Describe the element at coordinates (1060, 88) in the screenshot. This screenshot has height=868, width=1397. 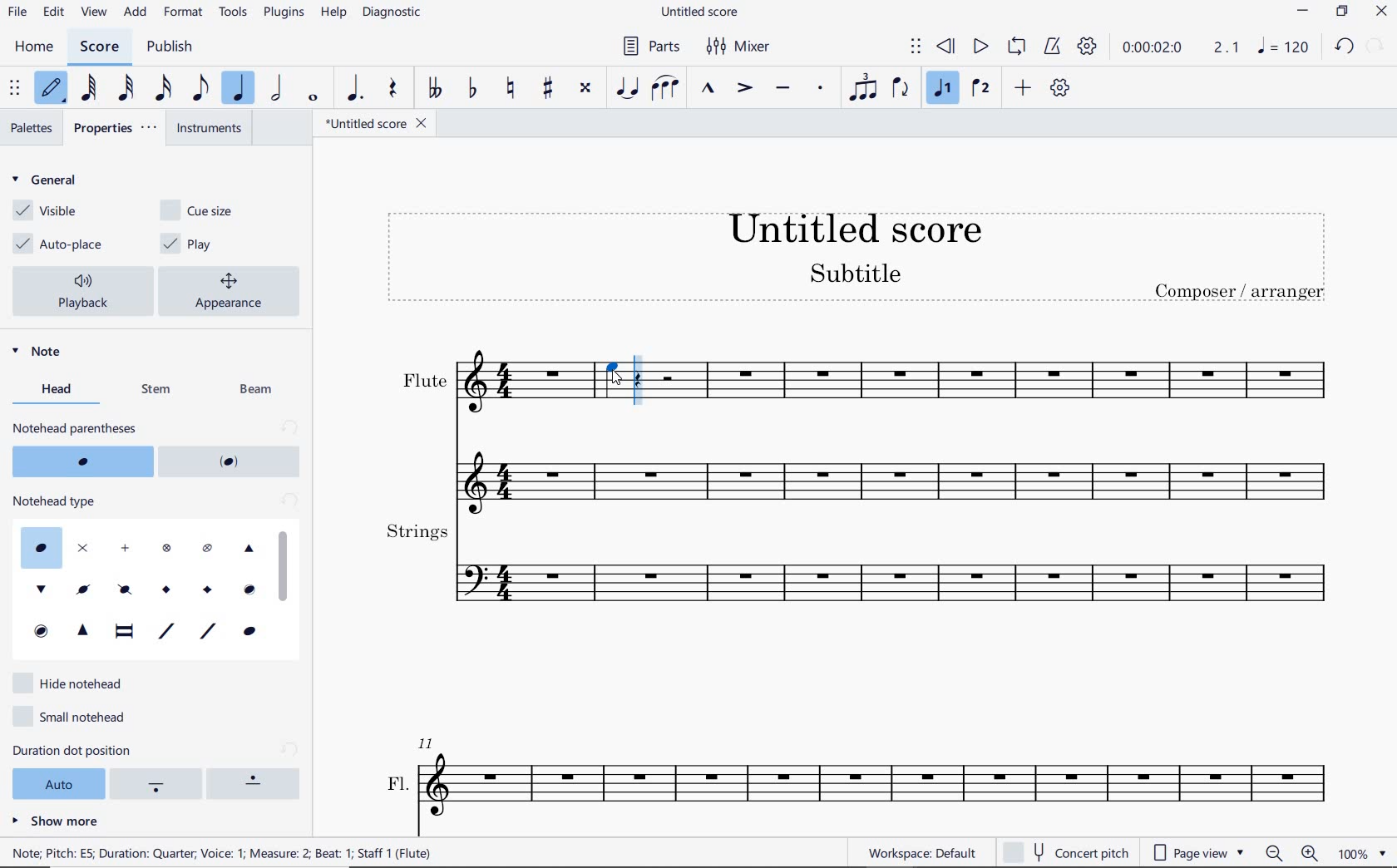
I see `CUSTOMIZE TOOLBAR` at that location.